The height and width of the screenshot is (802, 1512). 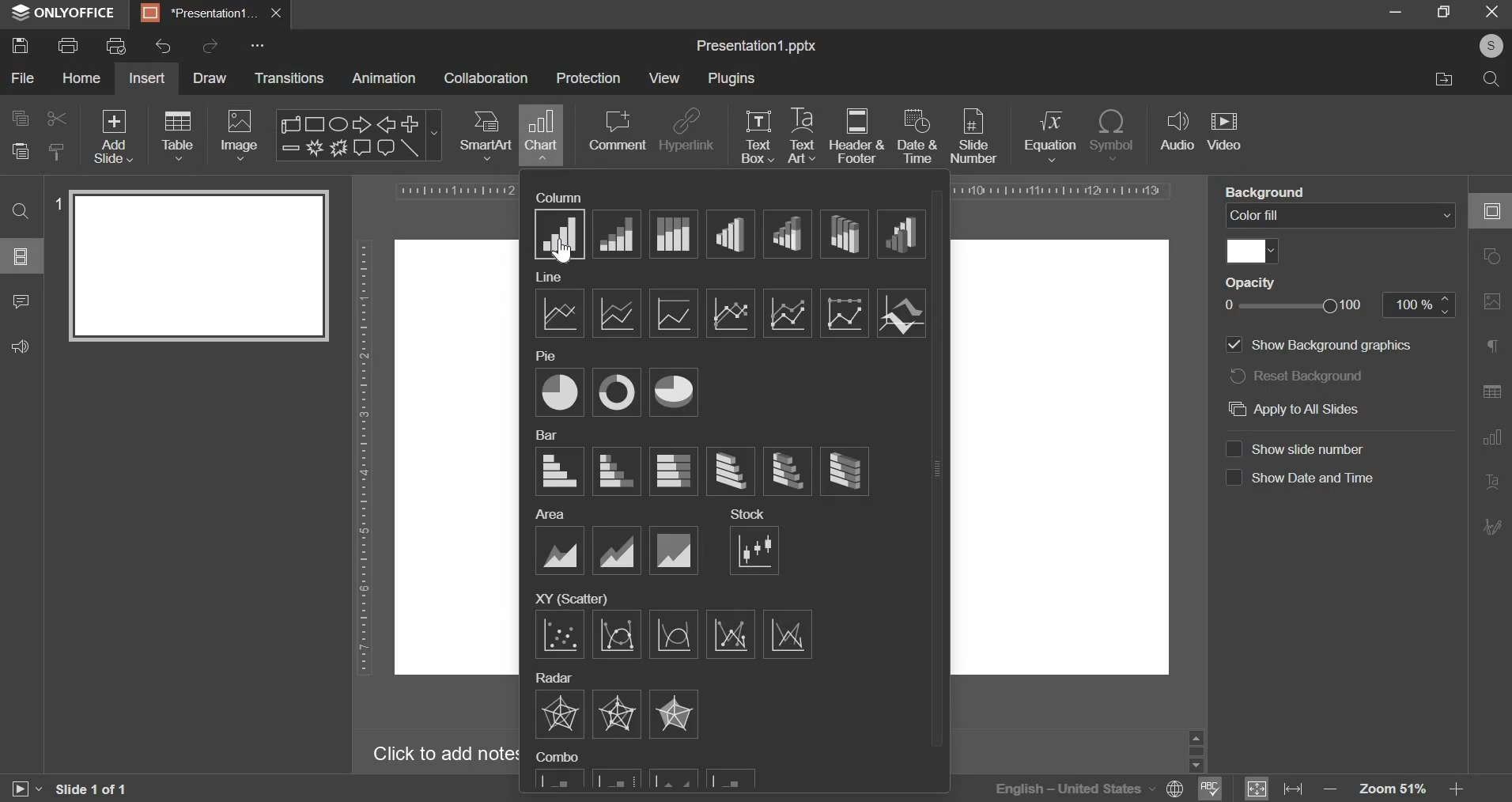 What do you see at coordinates (1295, 308) in the screenshot?
I see `opacity` at bounding box center [1295, 308].